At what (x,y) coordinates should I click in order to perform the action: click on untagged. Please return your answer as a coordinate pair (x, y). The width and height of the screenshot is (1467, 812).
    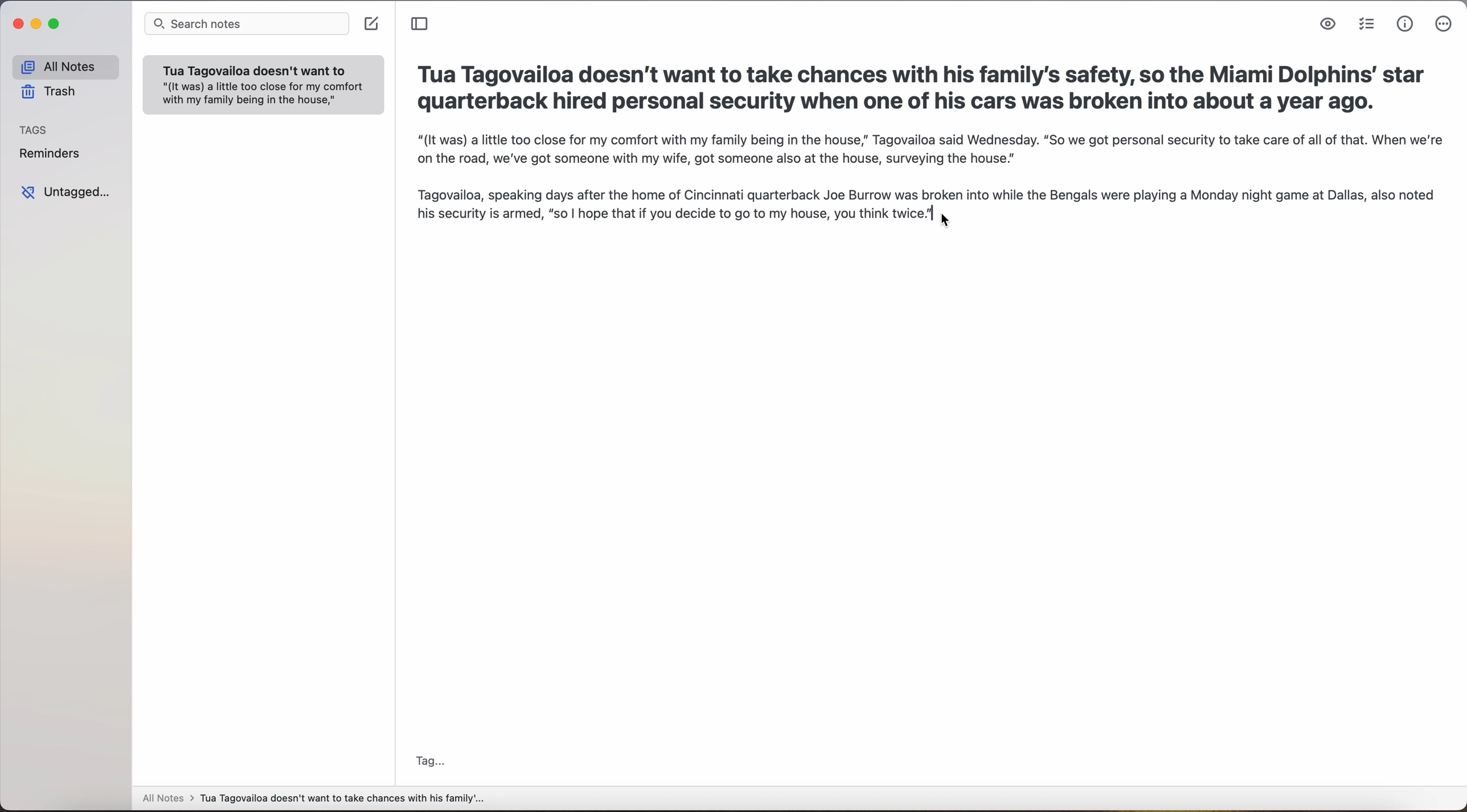
    Looking at the image, I should click on (68, 192).